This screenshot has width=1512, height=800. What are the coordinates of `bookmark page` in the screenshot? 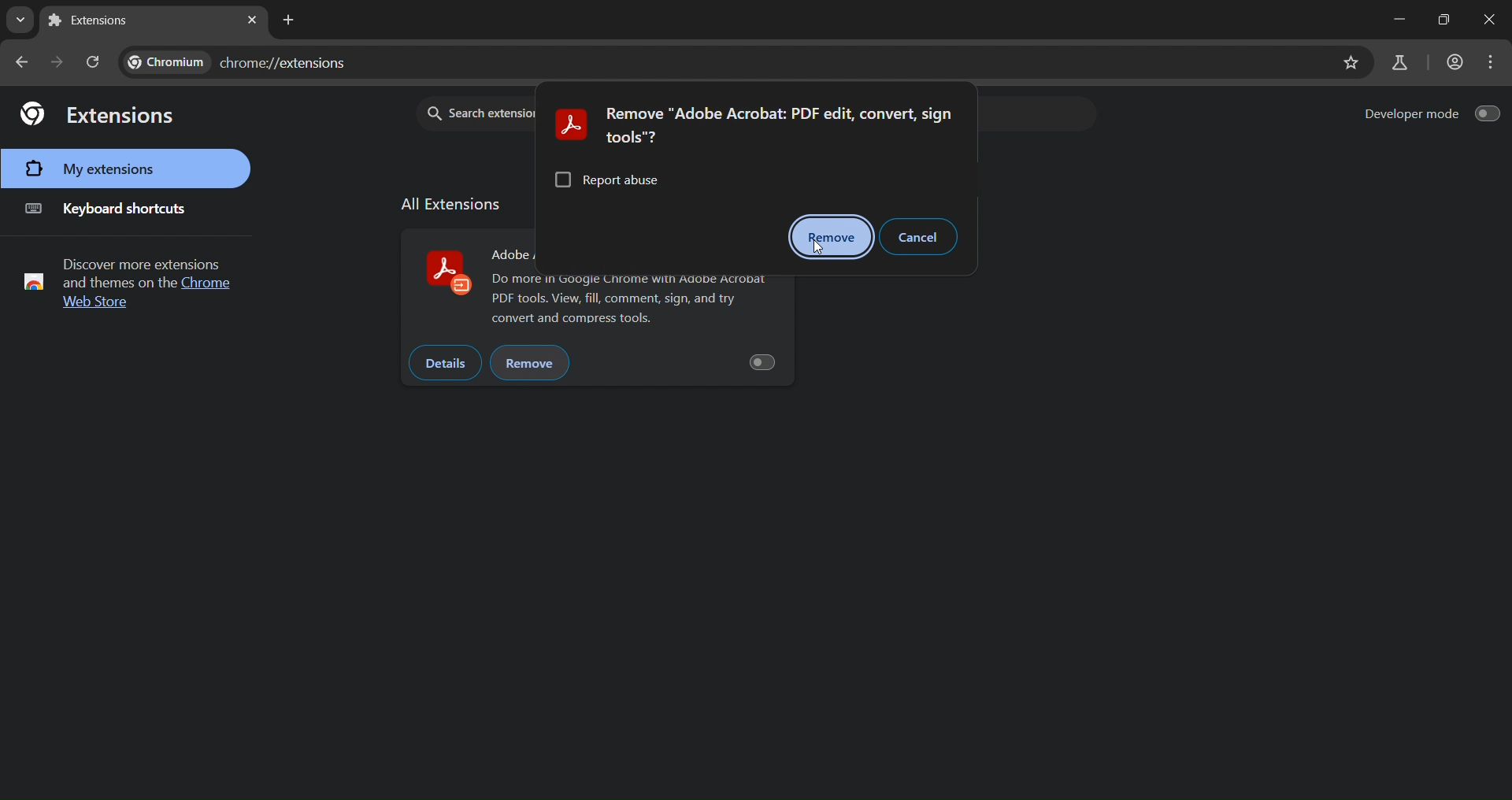 It's located at (1354, 65).